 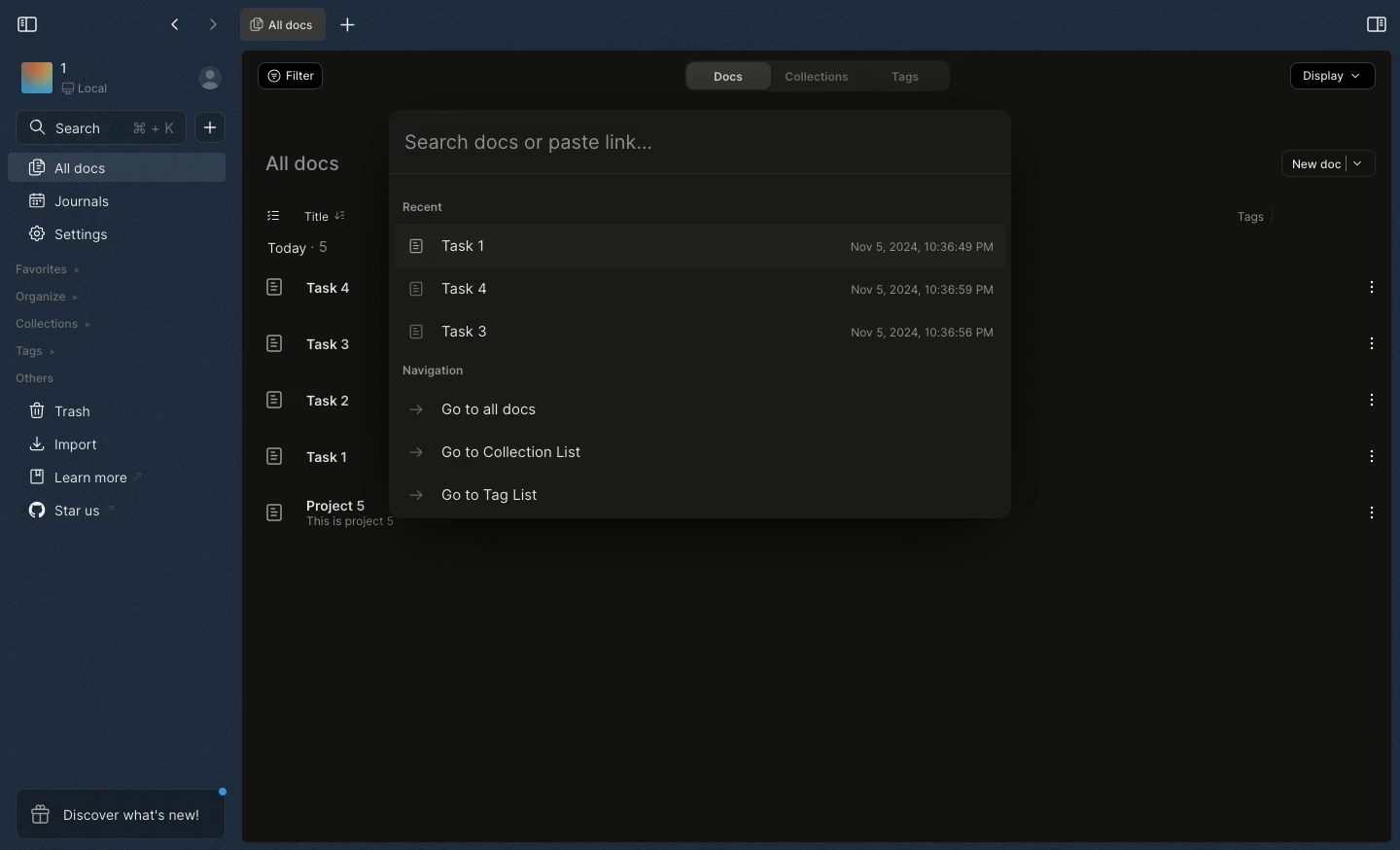 What do you see at coordinates (35, 376) in the screenshot?
I see `Others` at bounding box center [35, 376].